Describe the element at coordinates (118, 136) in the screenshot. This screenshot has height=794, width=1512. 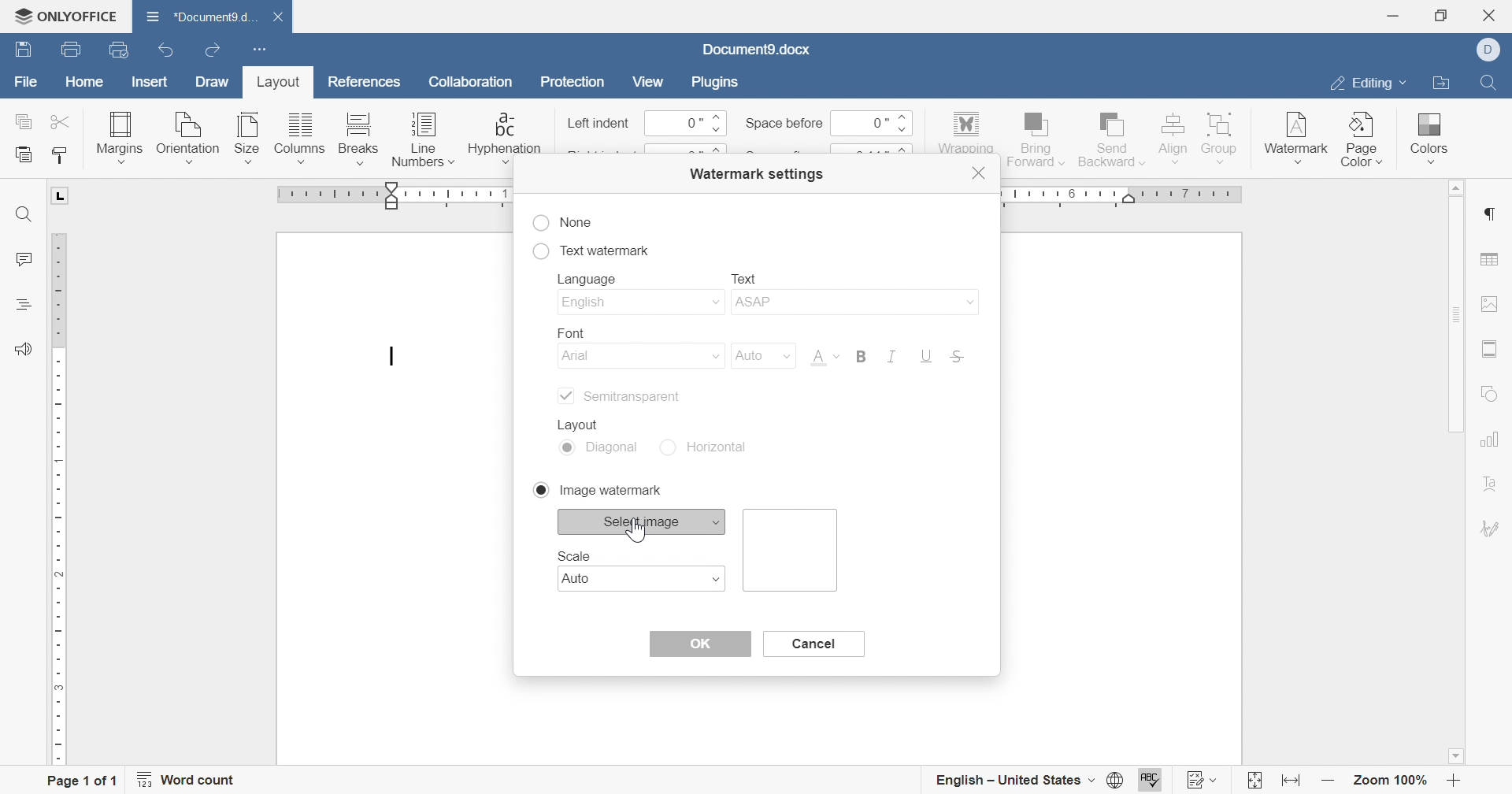
I see `margins` at that location.